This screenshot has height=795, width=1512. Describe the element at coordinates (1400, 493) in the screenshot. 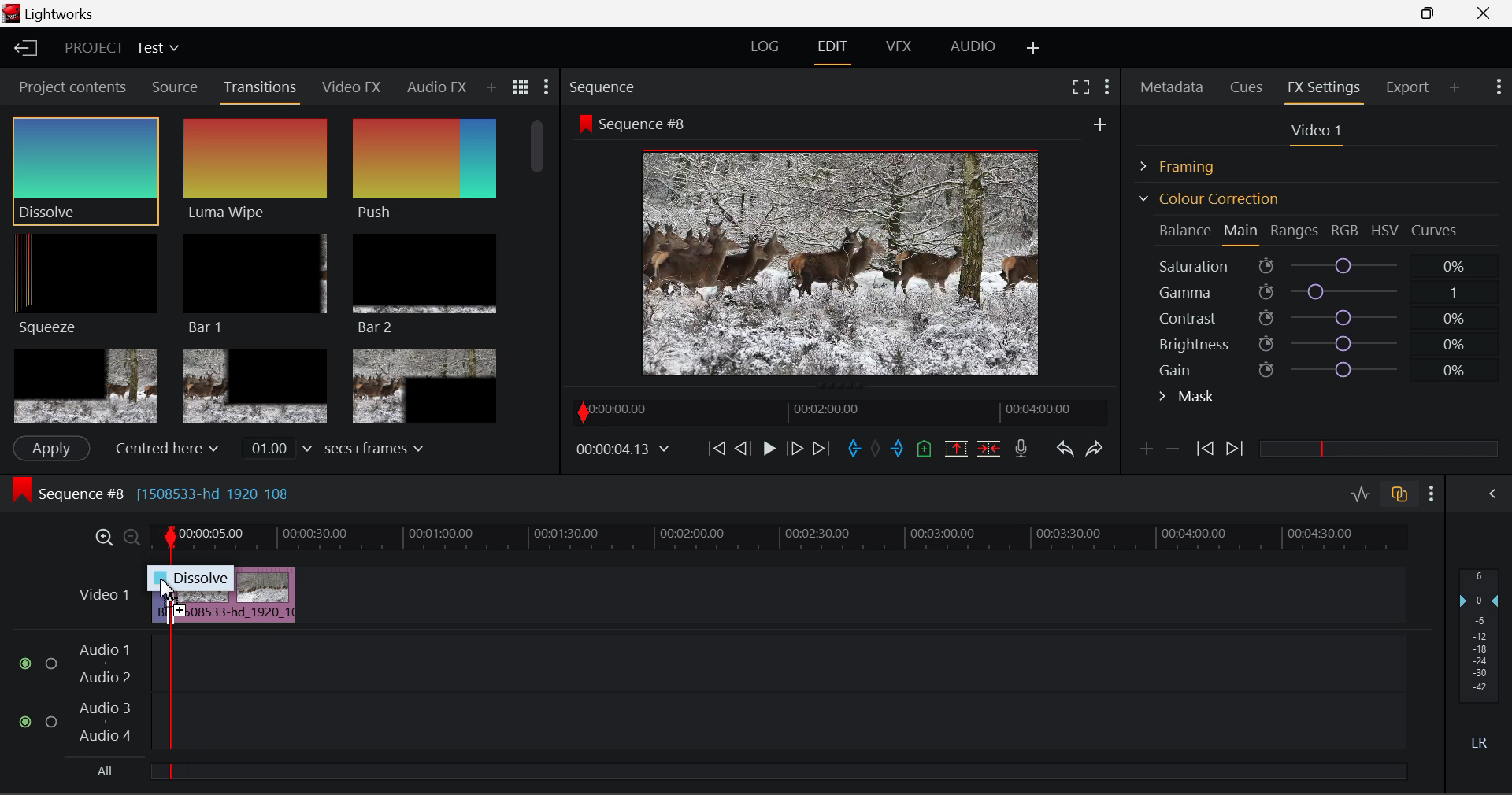

I see `Toggle audio track sync` at that location.